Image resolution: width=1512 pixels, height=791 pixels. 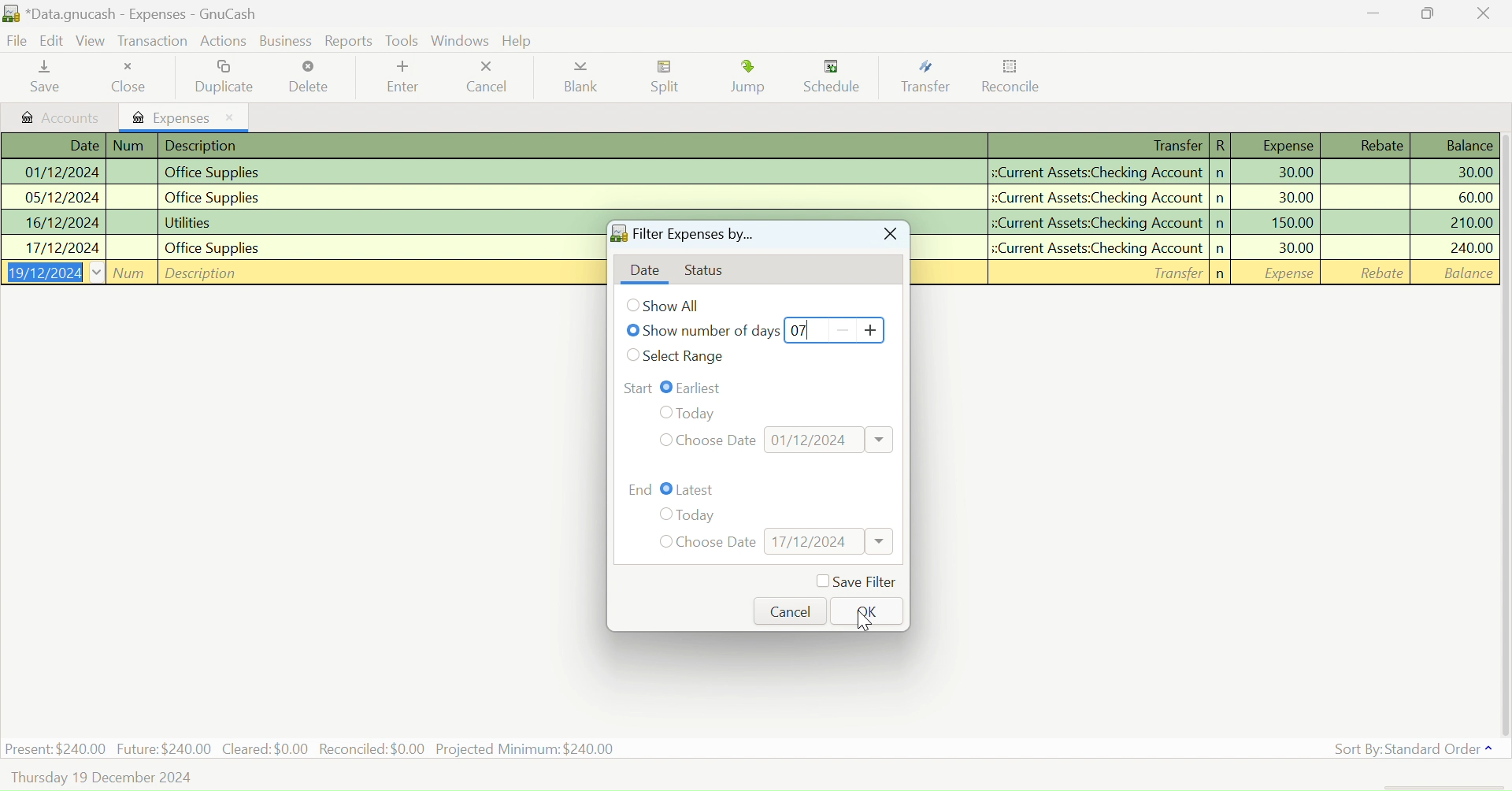 What do you see at coordinates (791, 611) in the screenshot?
I see `Cancel` at bounding box center [791, 611].